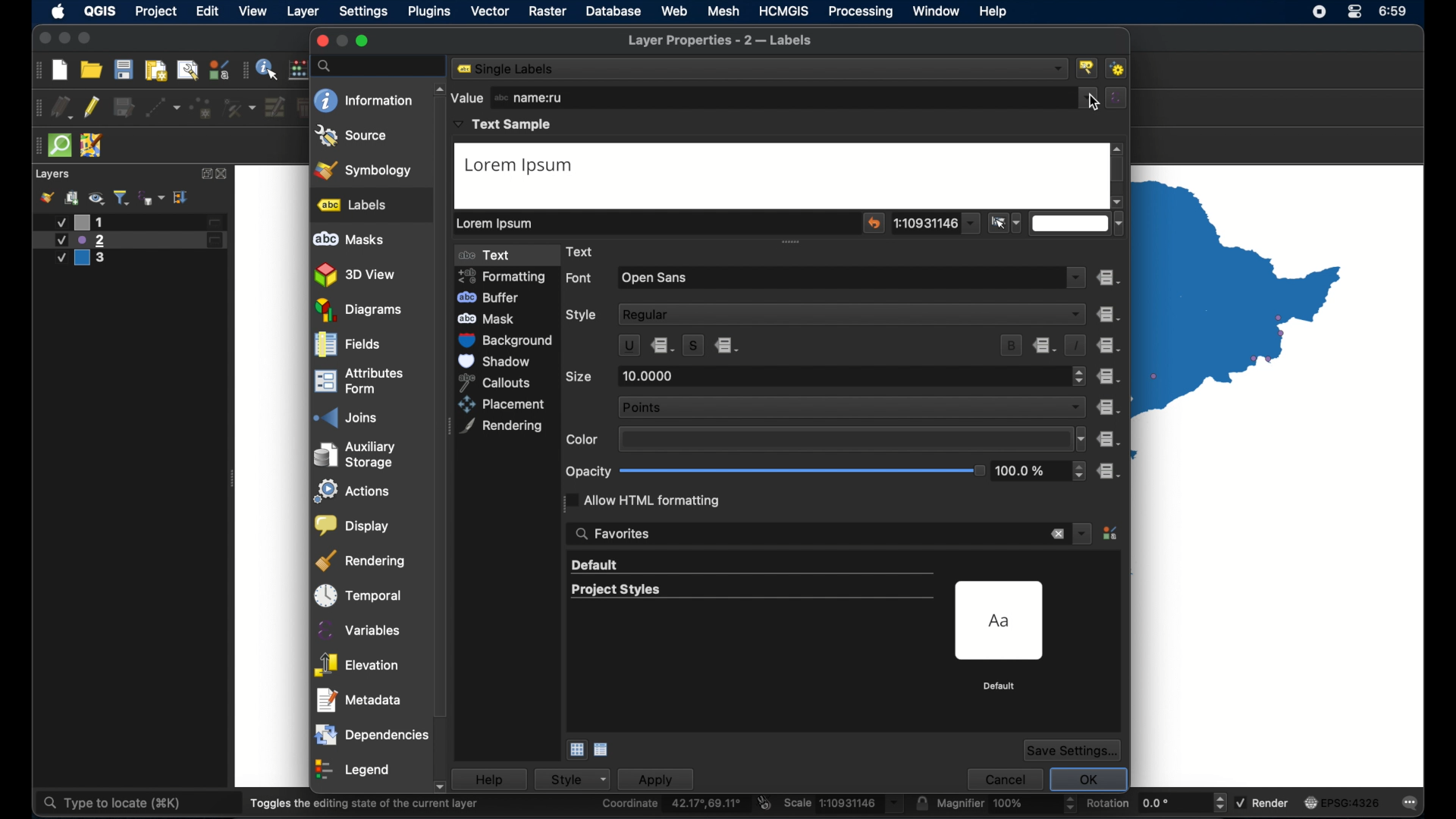 This screenshot has height=819, width=1456. What do you see at coordinates (504, 125) in the screenshot?
I see `text sample` at bounding box center [504, 125].